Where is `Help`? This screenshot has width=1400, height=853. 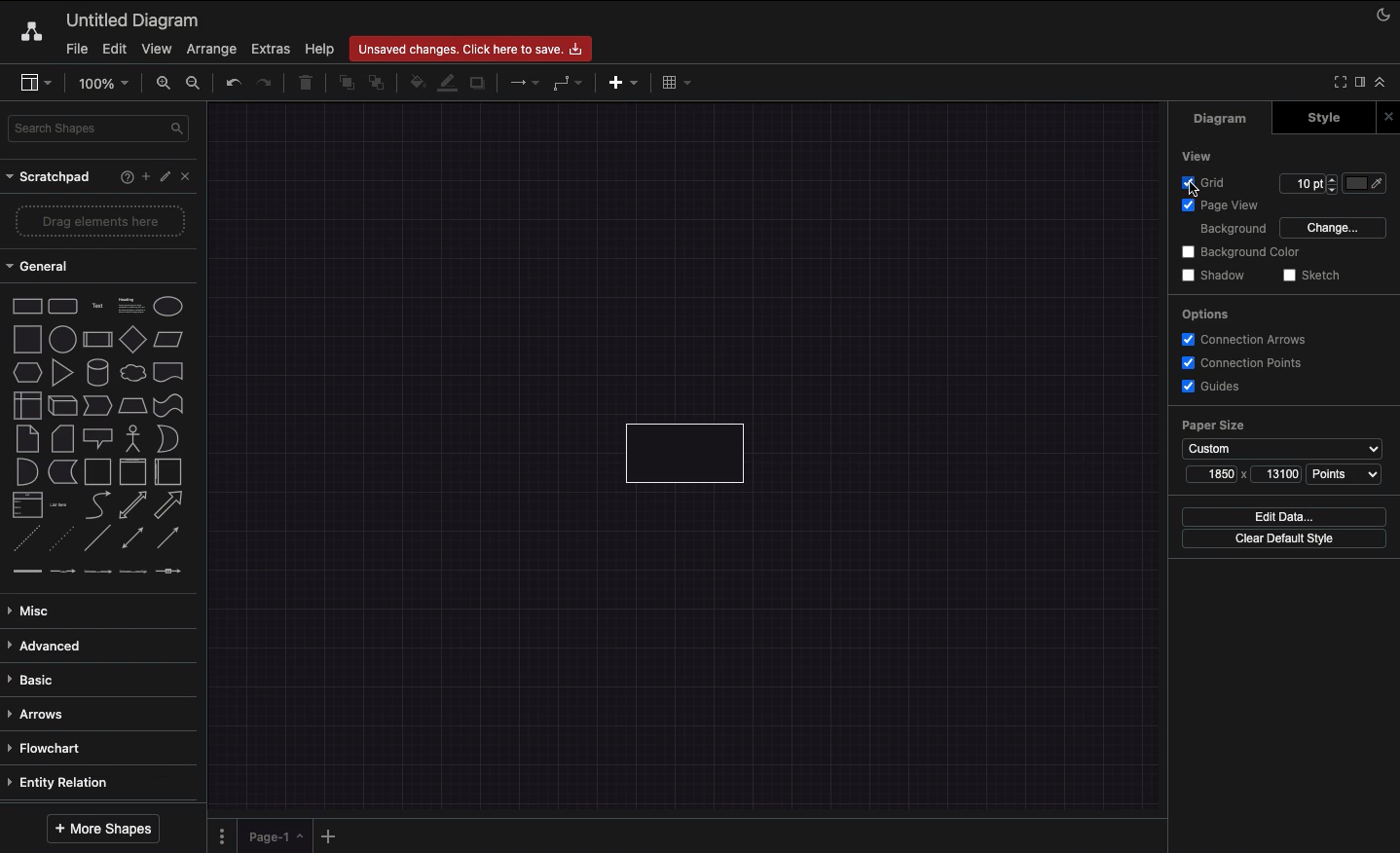
Help is located at coordinates (122, 179).